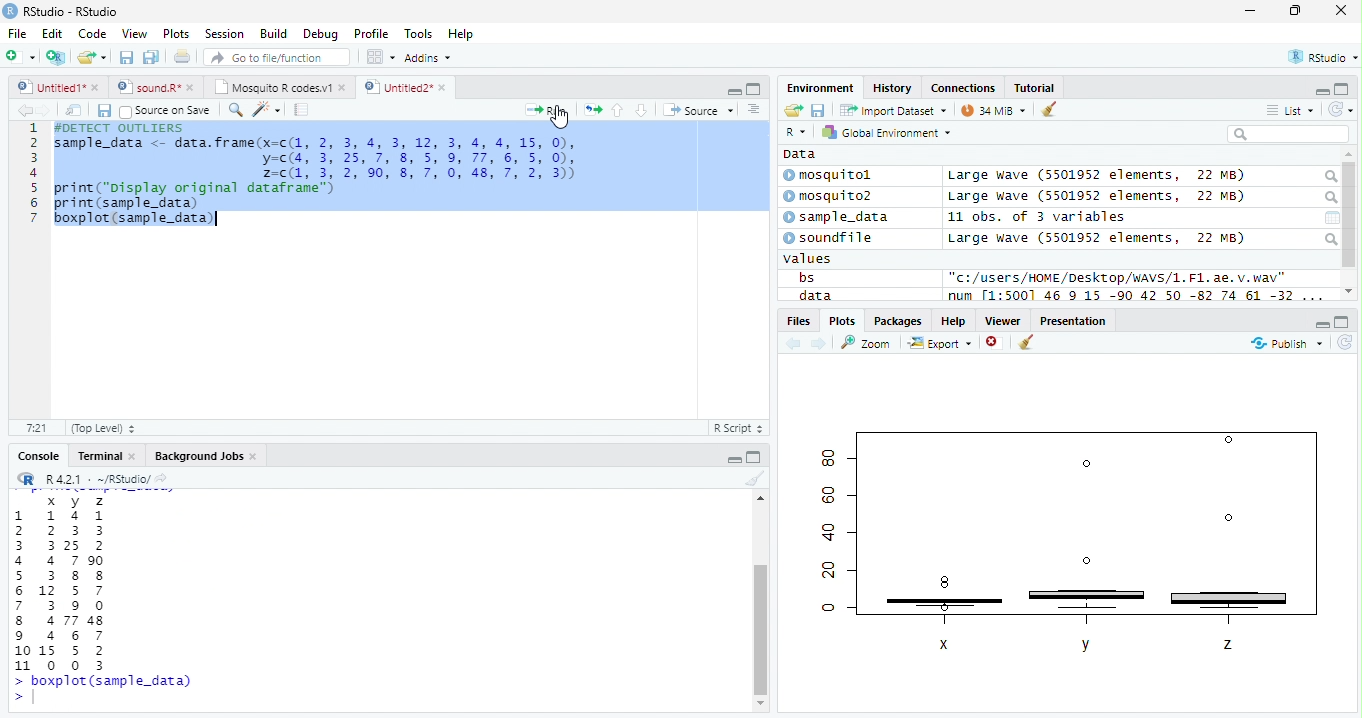 This screenshot has width=1362, height=718. What do you see at coordinates (753, 109) in the screenshot?
I see `Show document outline` at bounding box center [753, 109].